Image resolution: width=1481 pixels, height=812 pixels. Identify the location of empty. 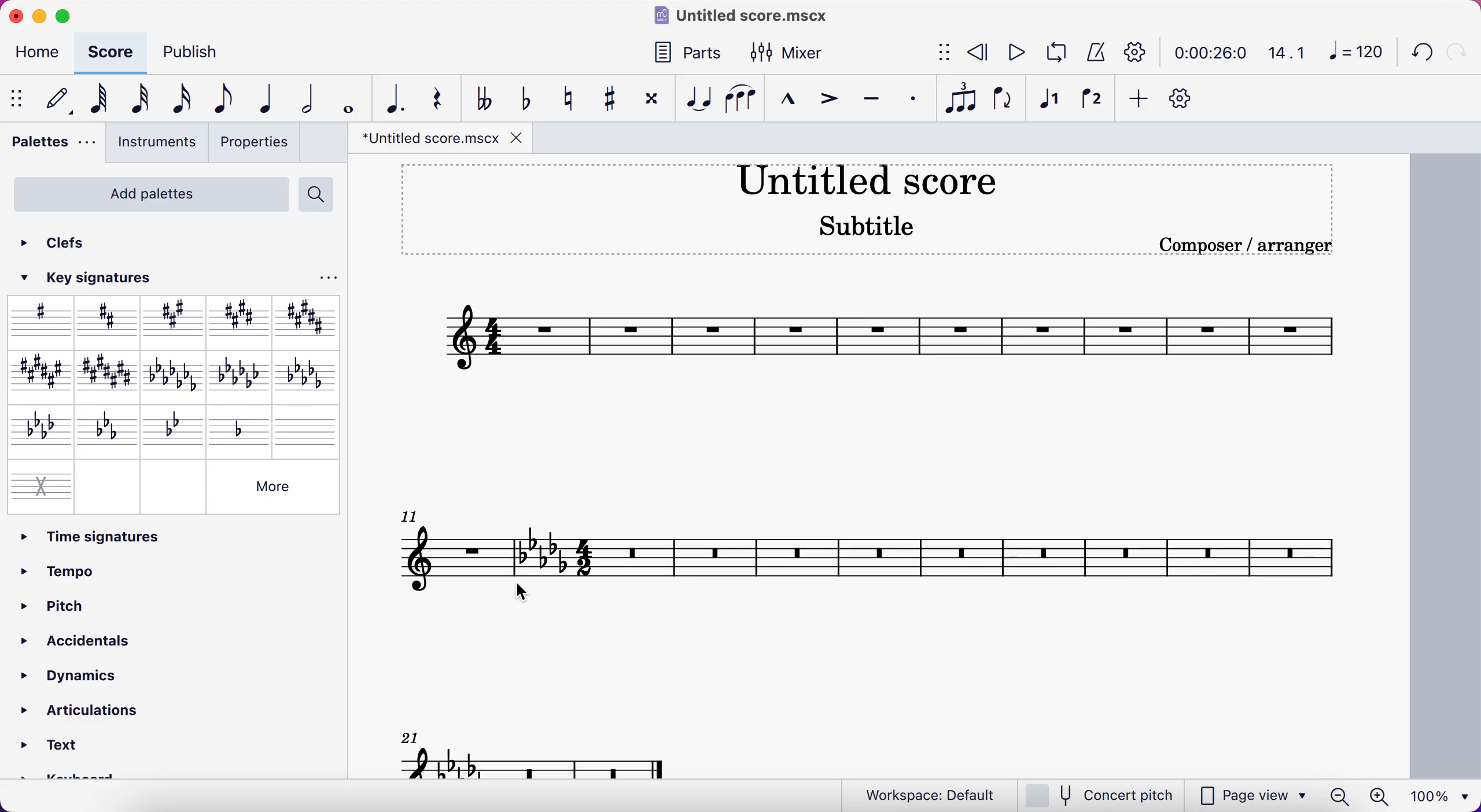
(172, 485).